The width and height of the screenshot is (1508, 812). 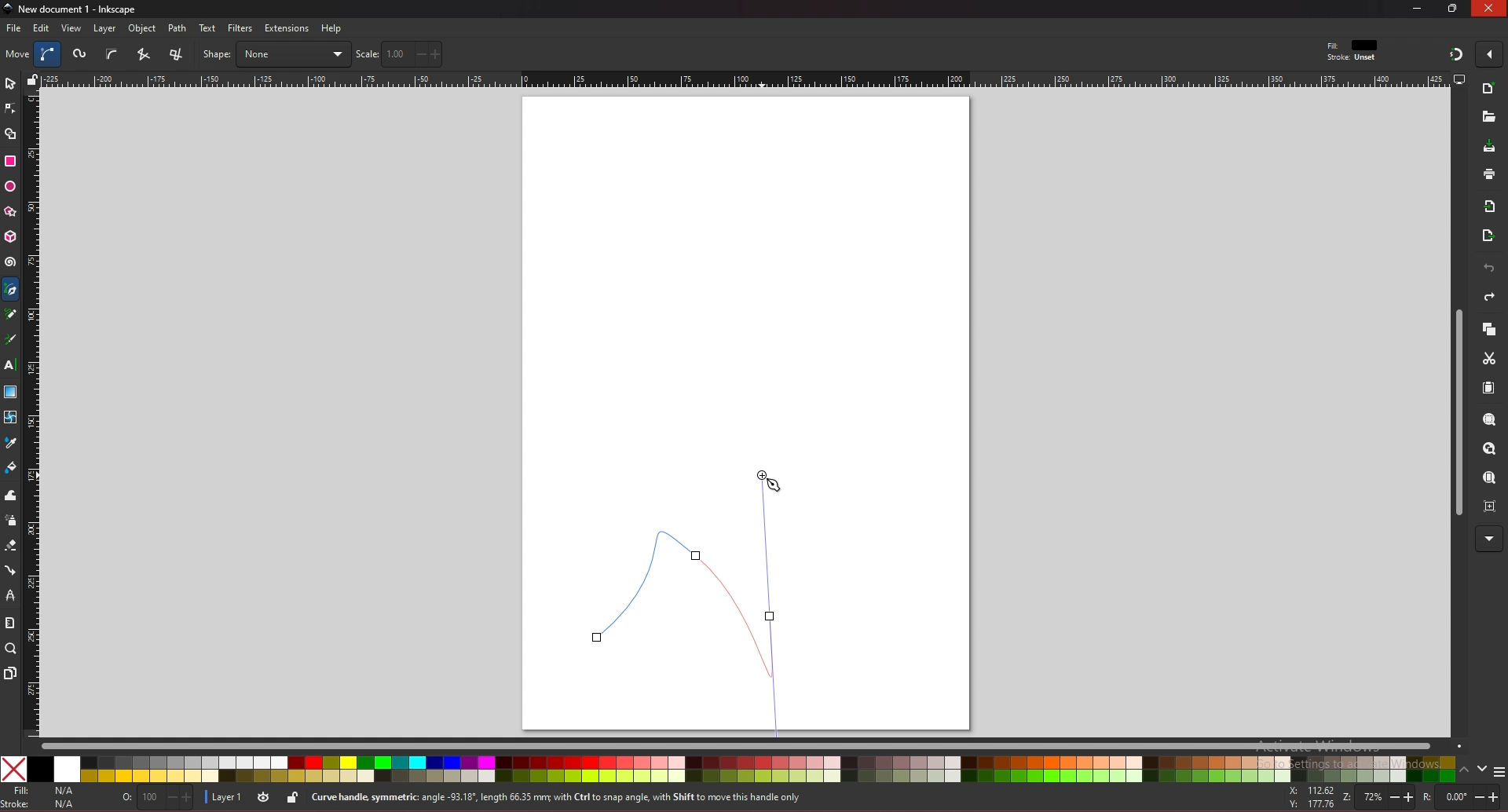 I want to click on scroll bar, so click(x=1456, y=413).